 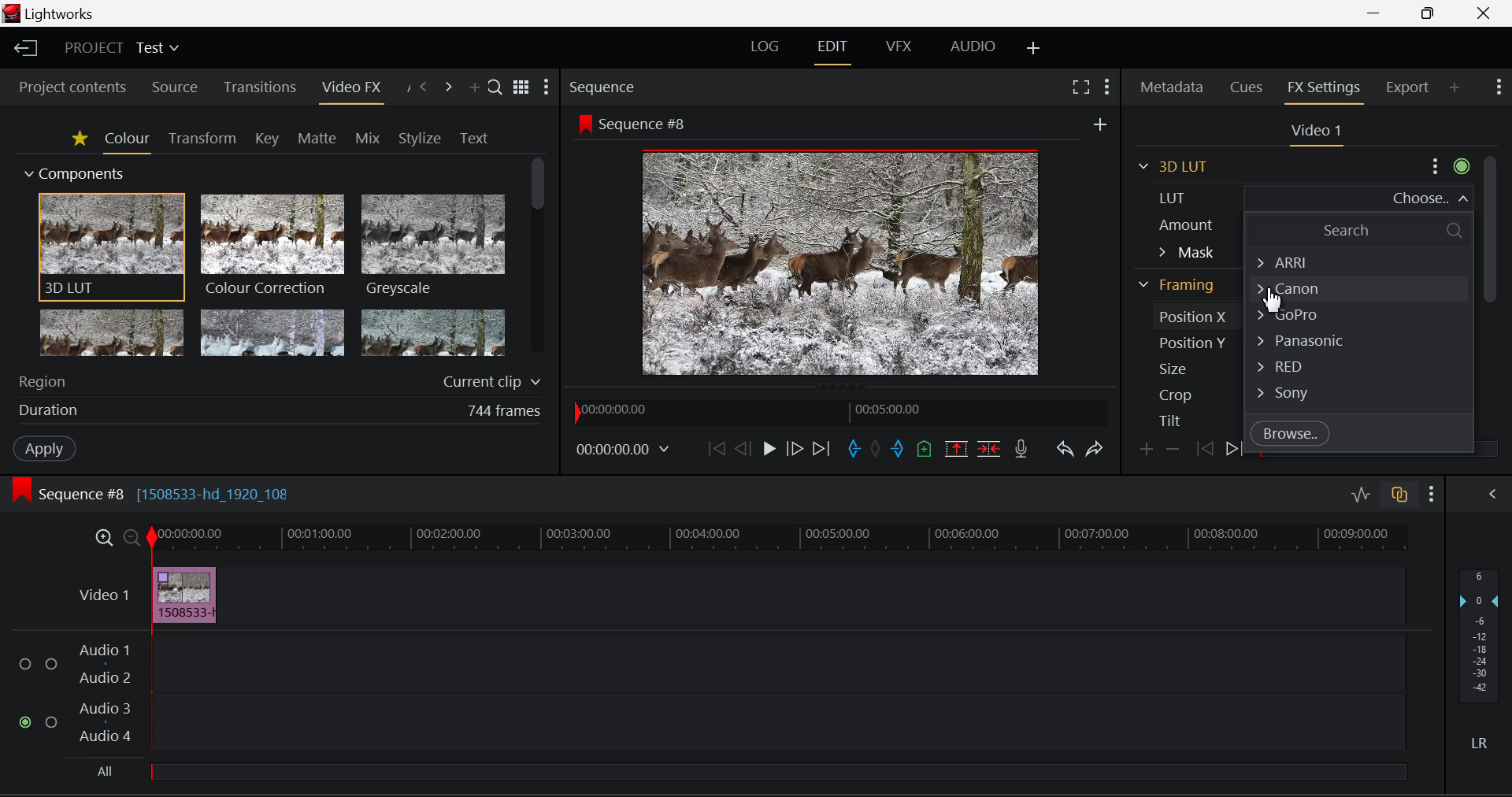 I want to click on LUT, so click(x=1318, y=198).